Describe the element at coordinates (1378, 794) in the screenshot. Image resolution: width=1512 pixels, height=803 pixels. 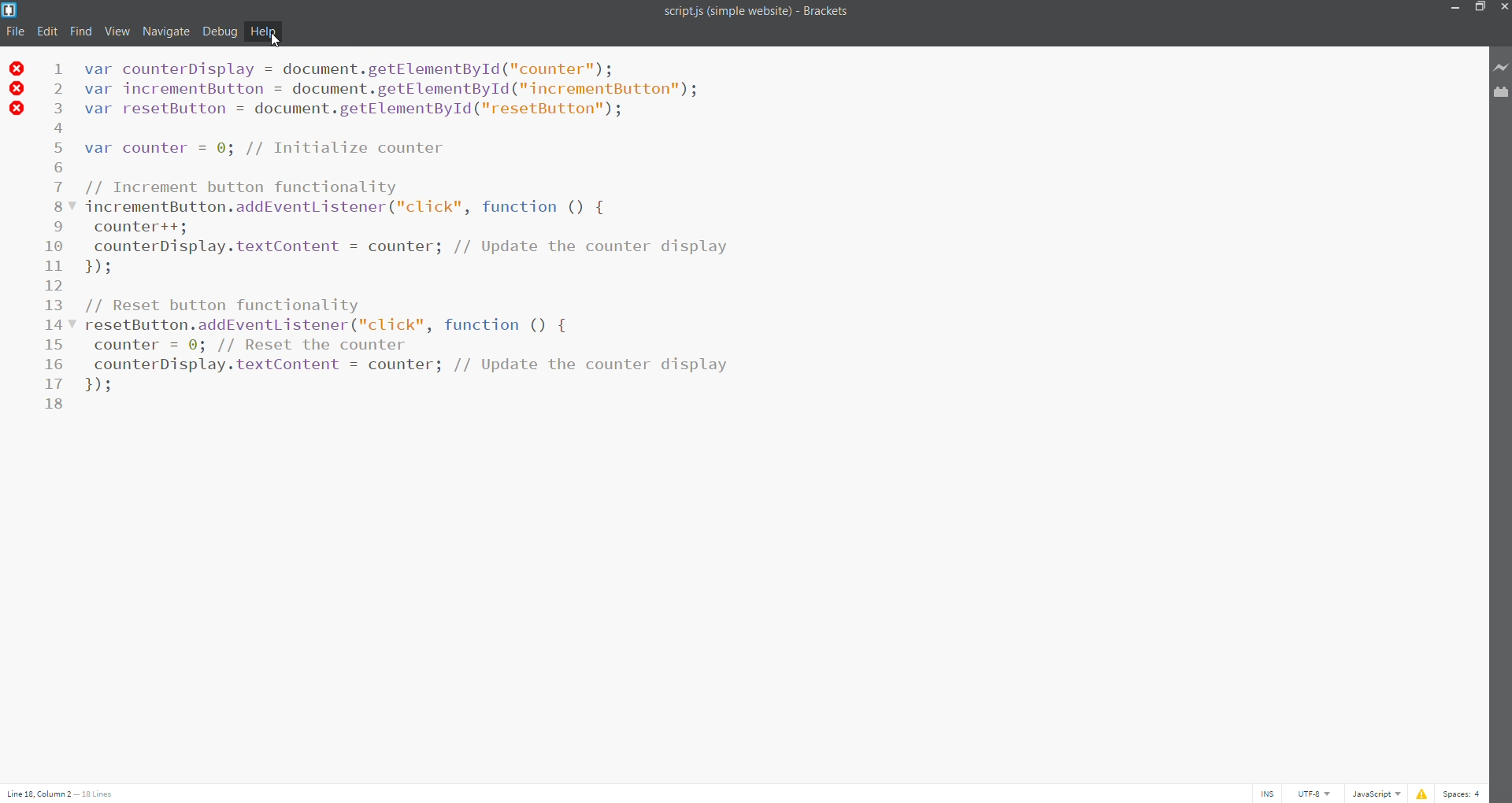
I see `javascript` at that location.